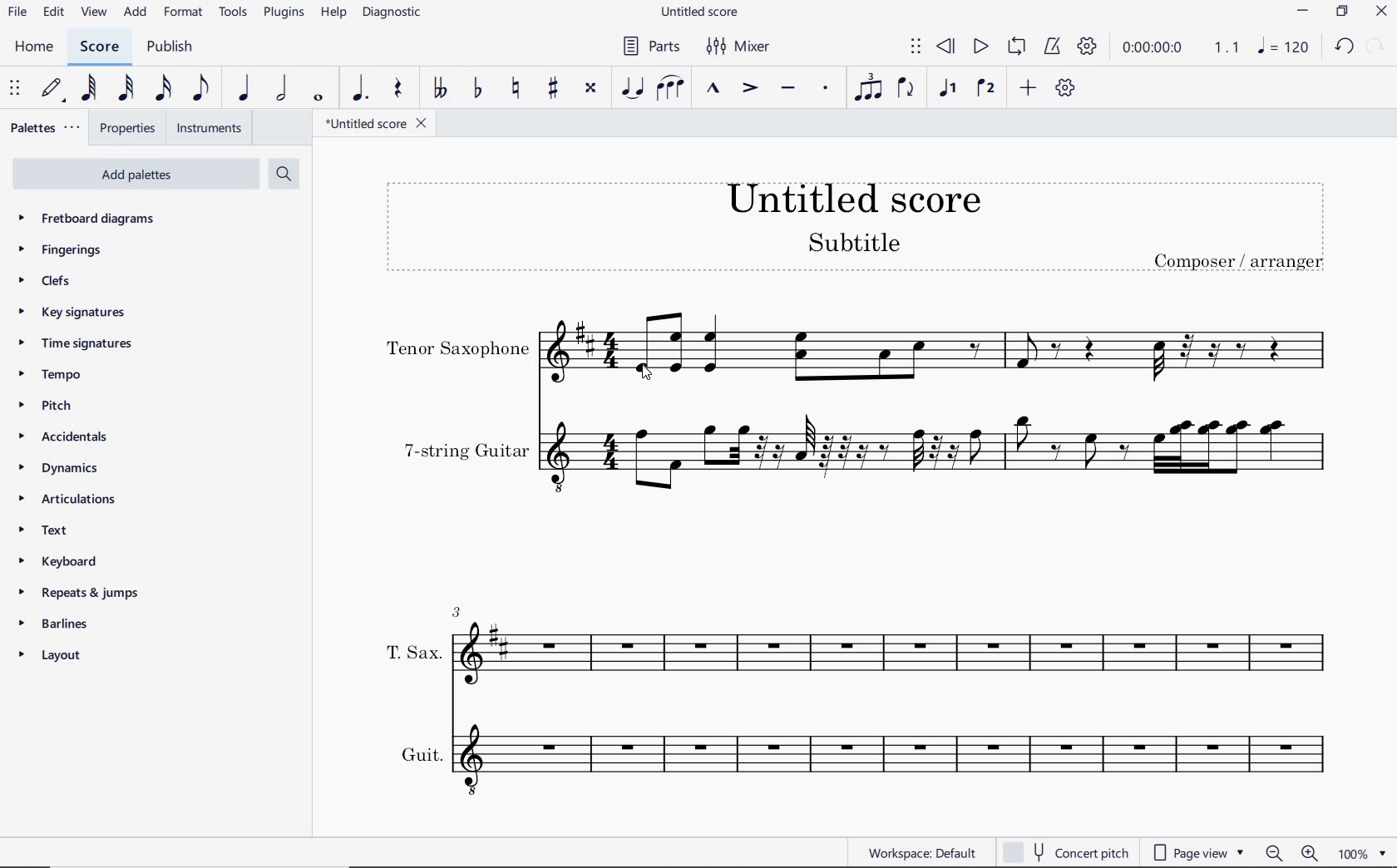 The width and height of the screenshot is (1397, 868). I want to click on TIE, so click(632, 89).